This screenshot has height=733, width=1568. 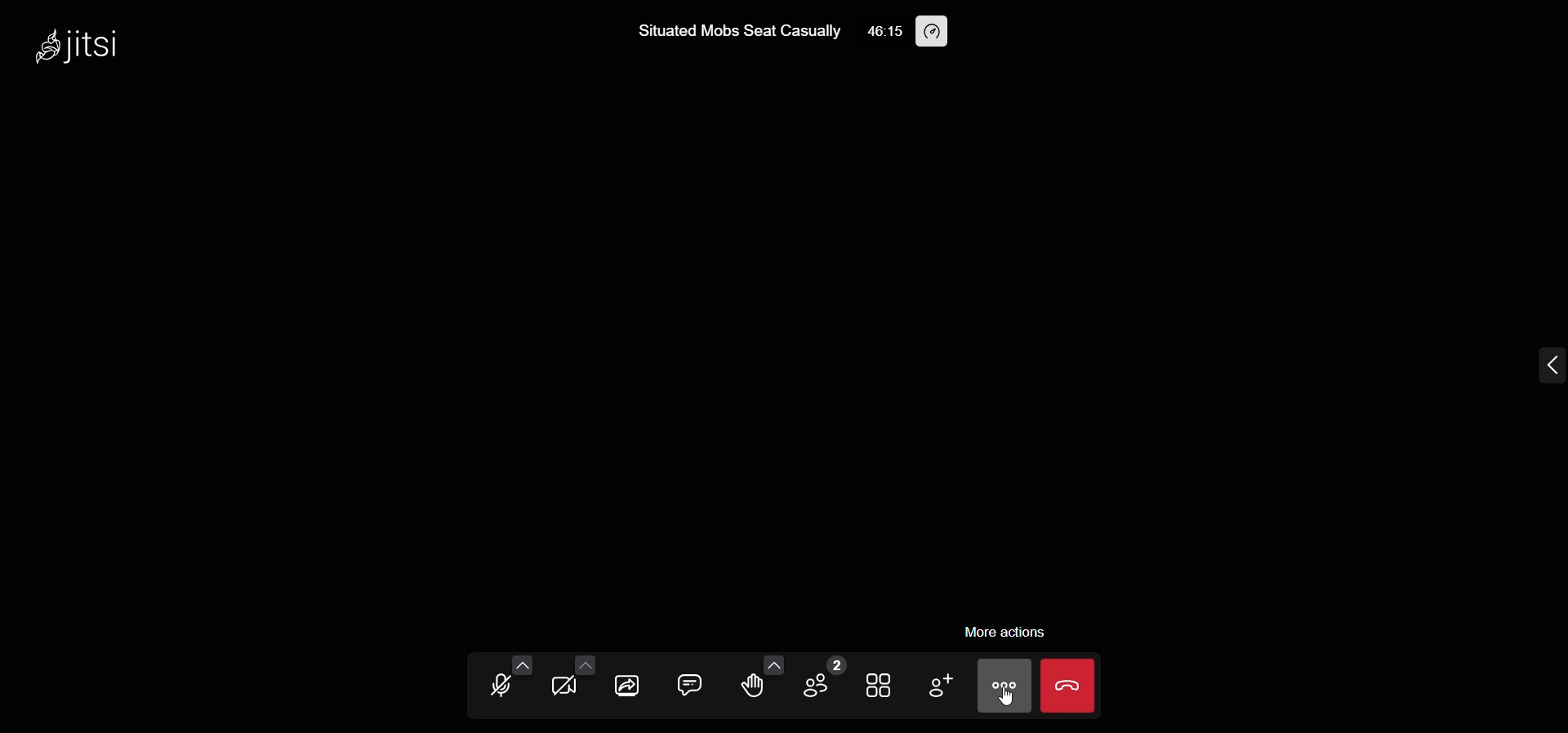 What do you see at coordinates (689, 685) in the screenshot?
I see `chat` at bounding box center [689, 685].